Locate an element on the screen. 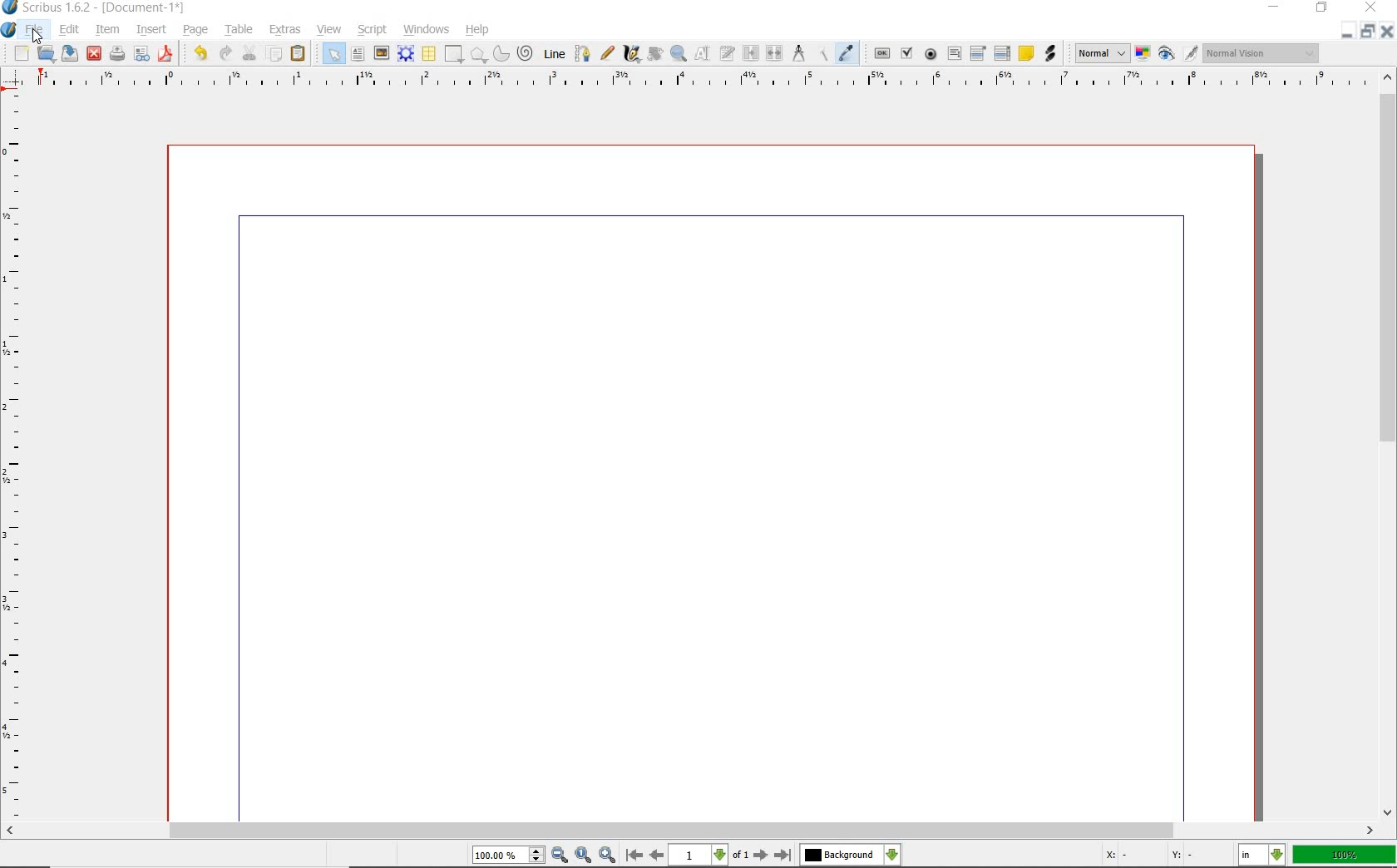 The height and width of the screenshot is (868, 1397). save as pdf is located at coordinates (167, 55).